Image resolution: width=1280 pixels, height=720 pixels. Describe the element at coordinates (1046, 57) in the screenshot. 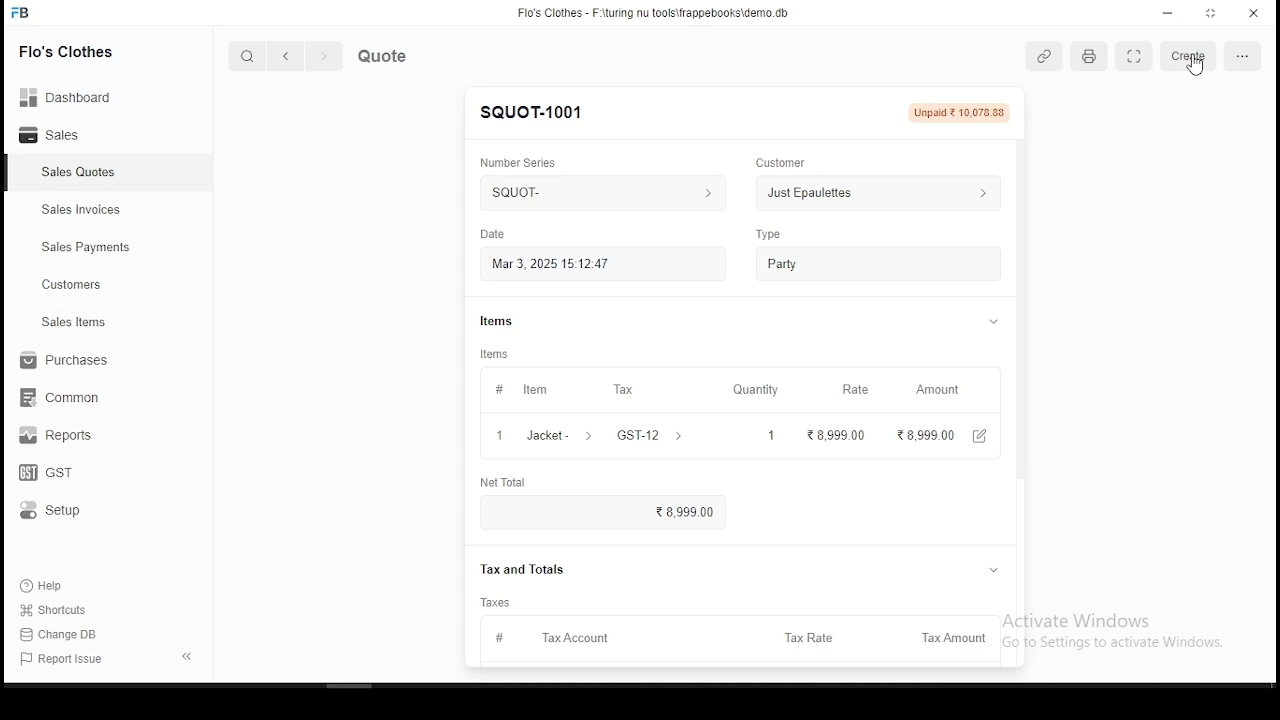

I see `link` at that location.